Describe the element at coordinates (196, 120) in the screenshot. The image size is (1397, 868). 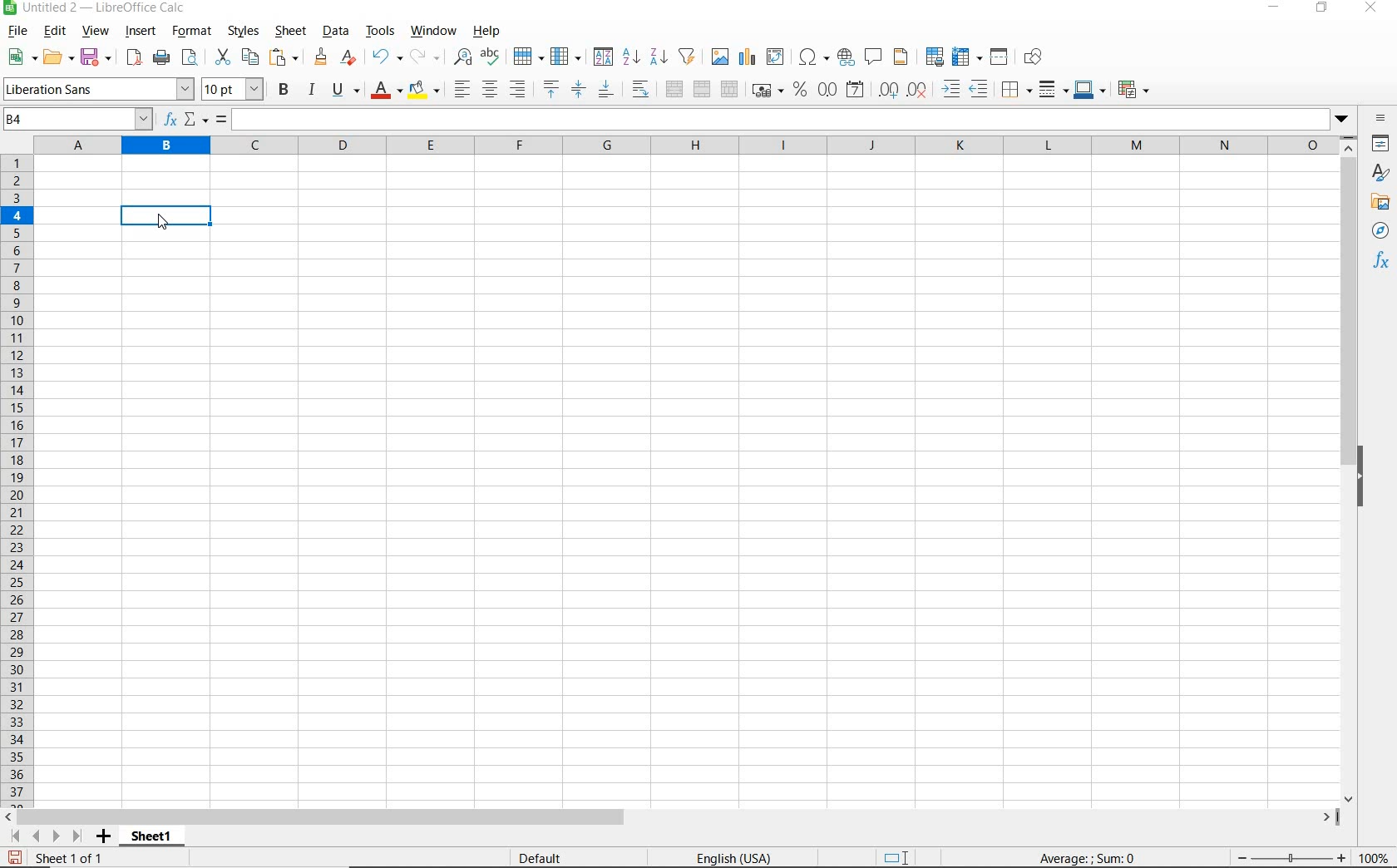
I see `select function` at that location.